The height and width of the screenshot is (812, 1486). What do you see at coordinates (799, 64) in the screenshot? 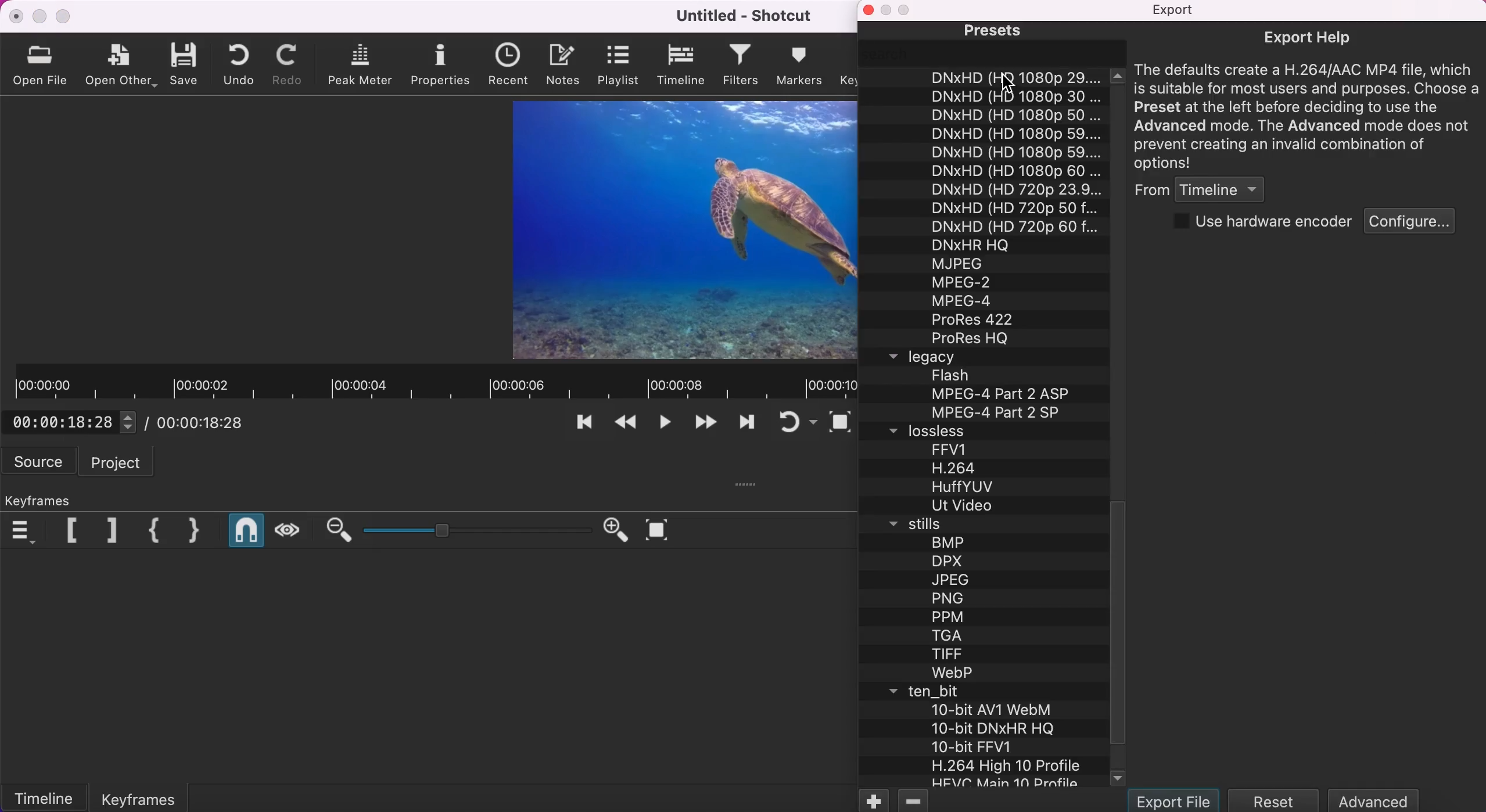
I see `markers` at bounding box center [799, 64].